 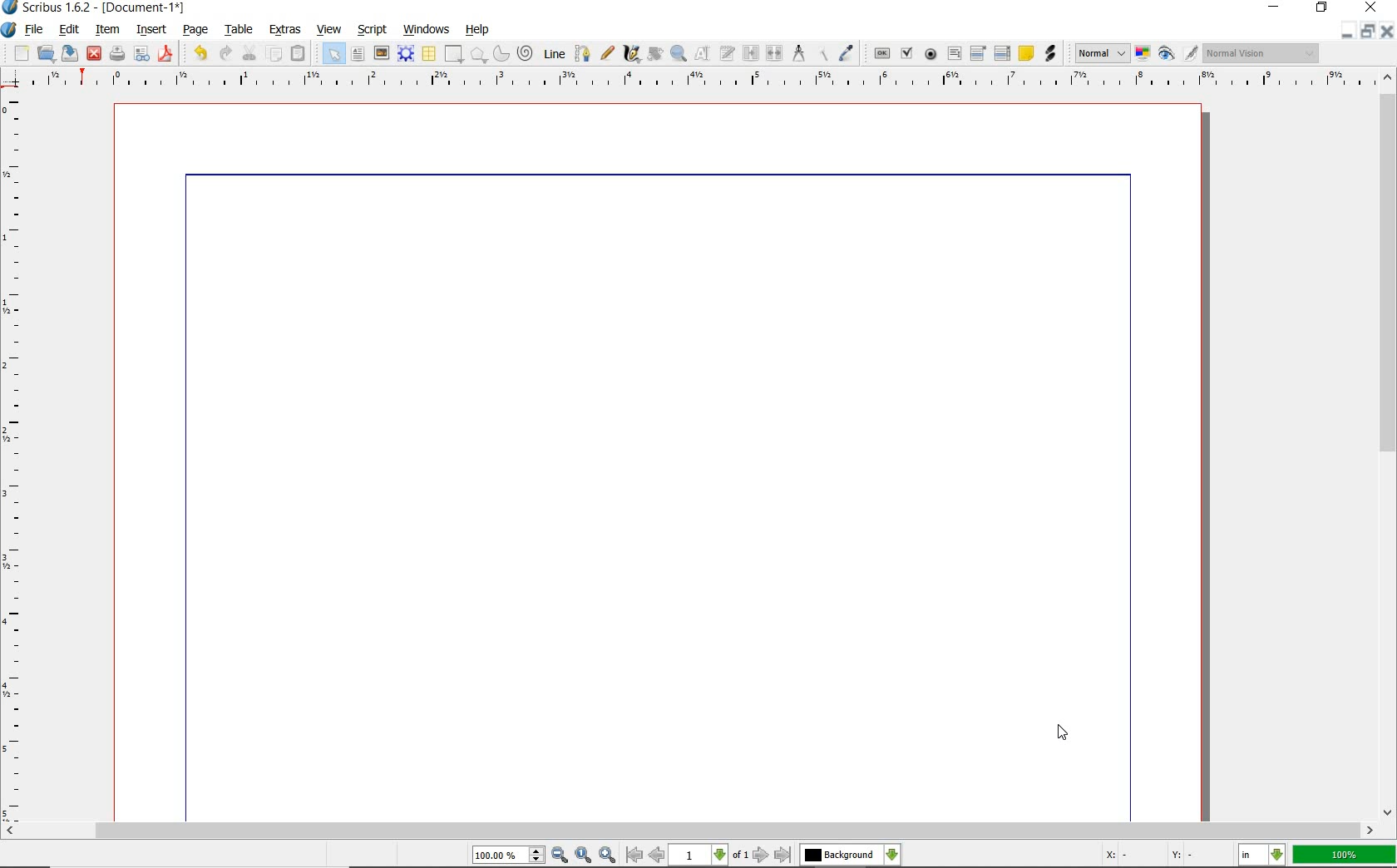 I want to click on table, so click(x=239, y=29).